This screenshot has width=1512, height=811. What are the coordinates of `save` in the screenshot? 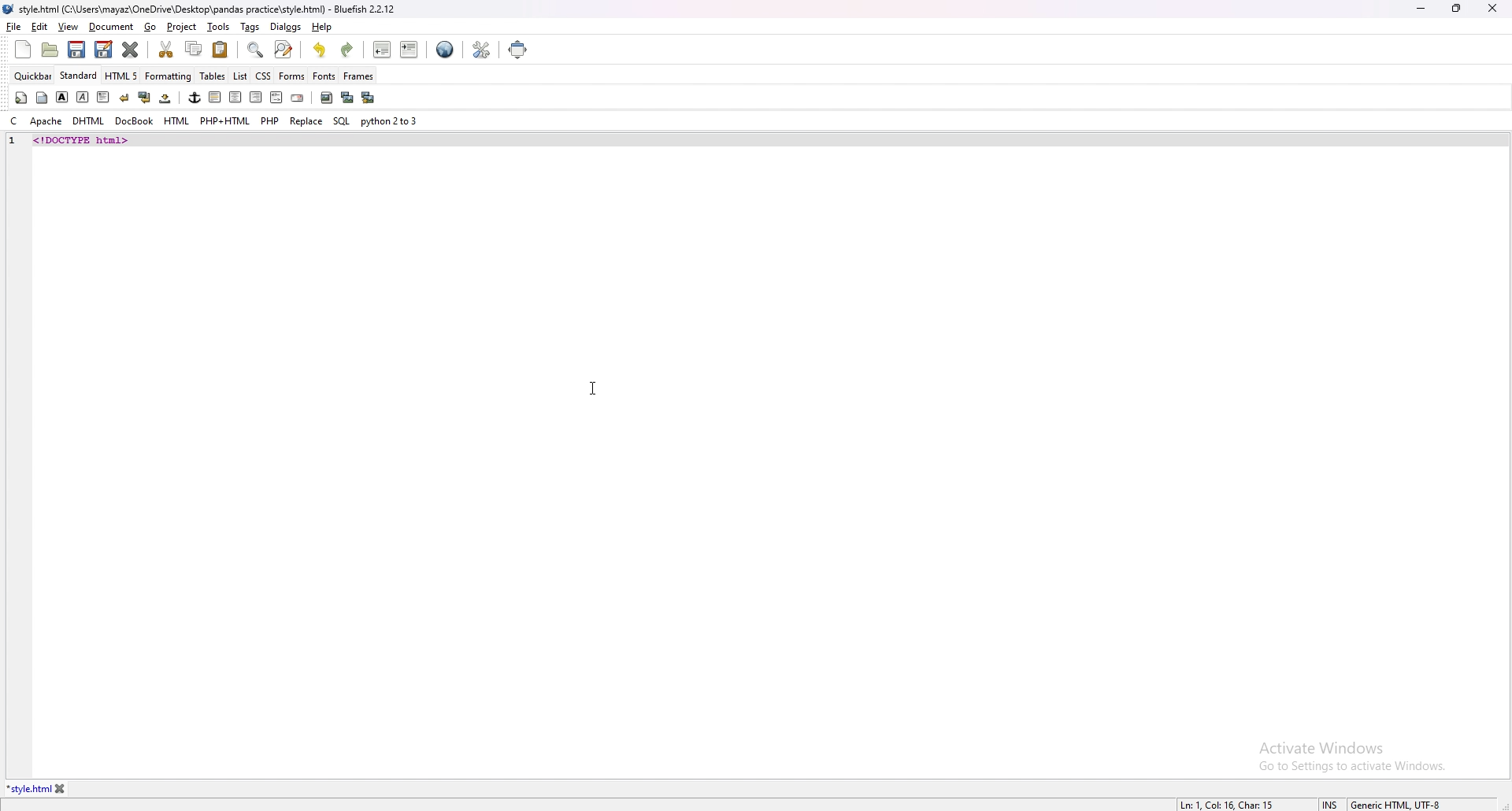 It's located at (77, 50).